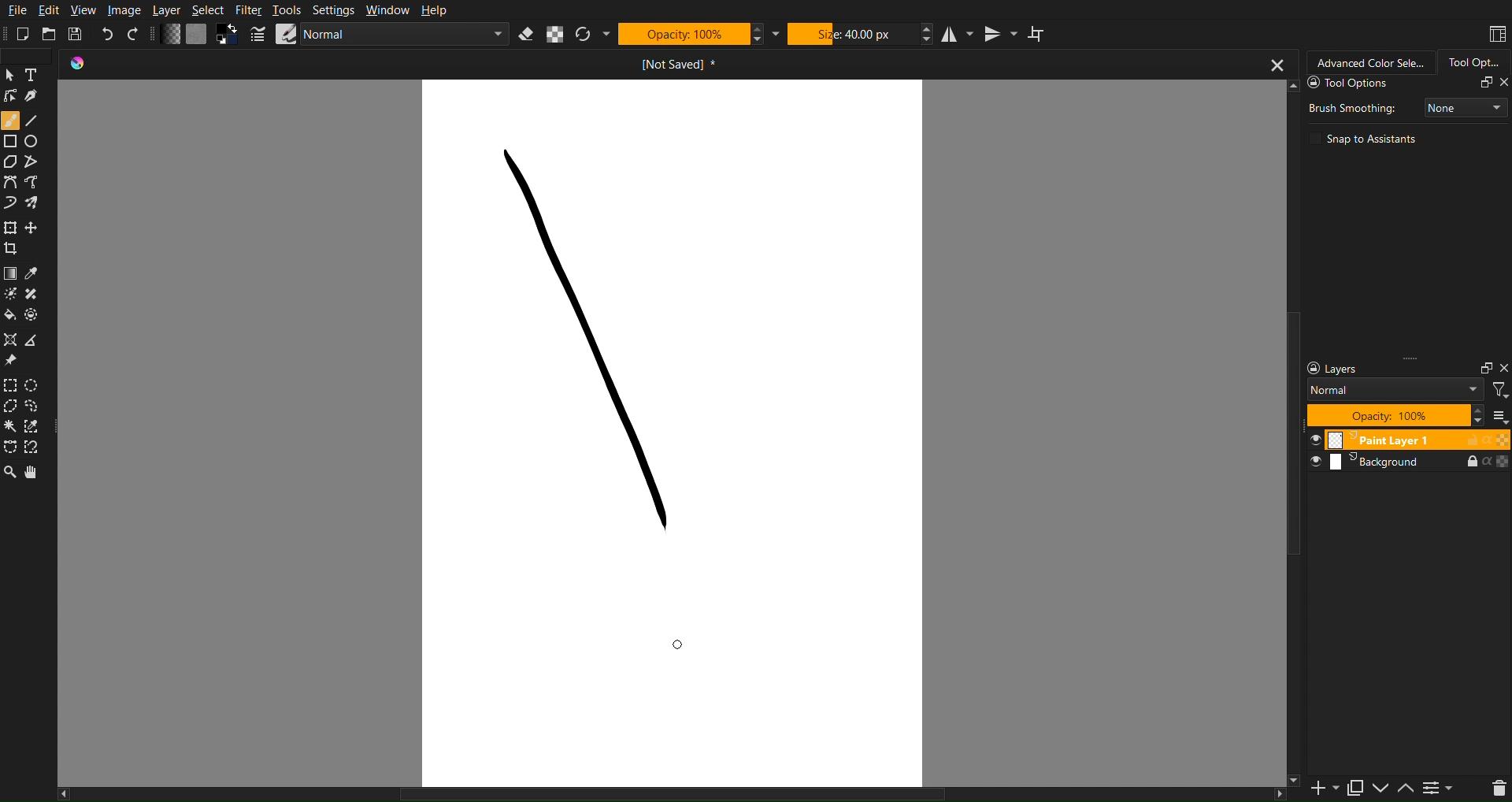 The image size is (1512, 802). I want to click on Color Fill, so click(11, 314).